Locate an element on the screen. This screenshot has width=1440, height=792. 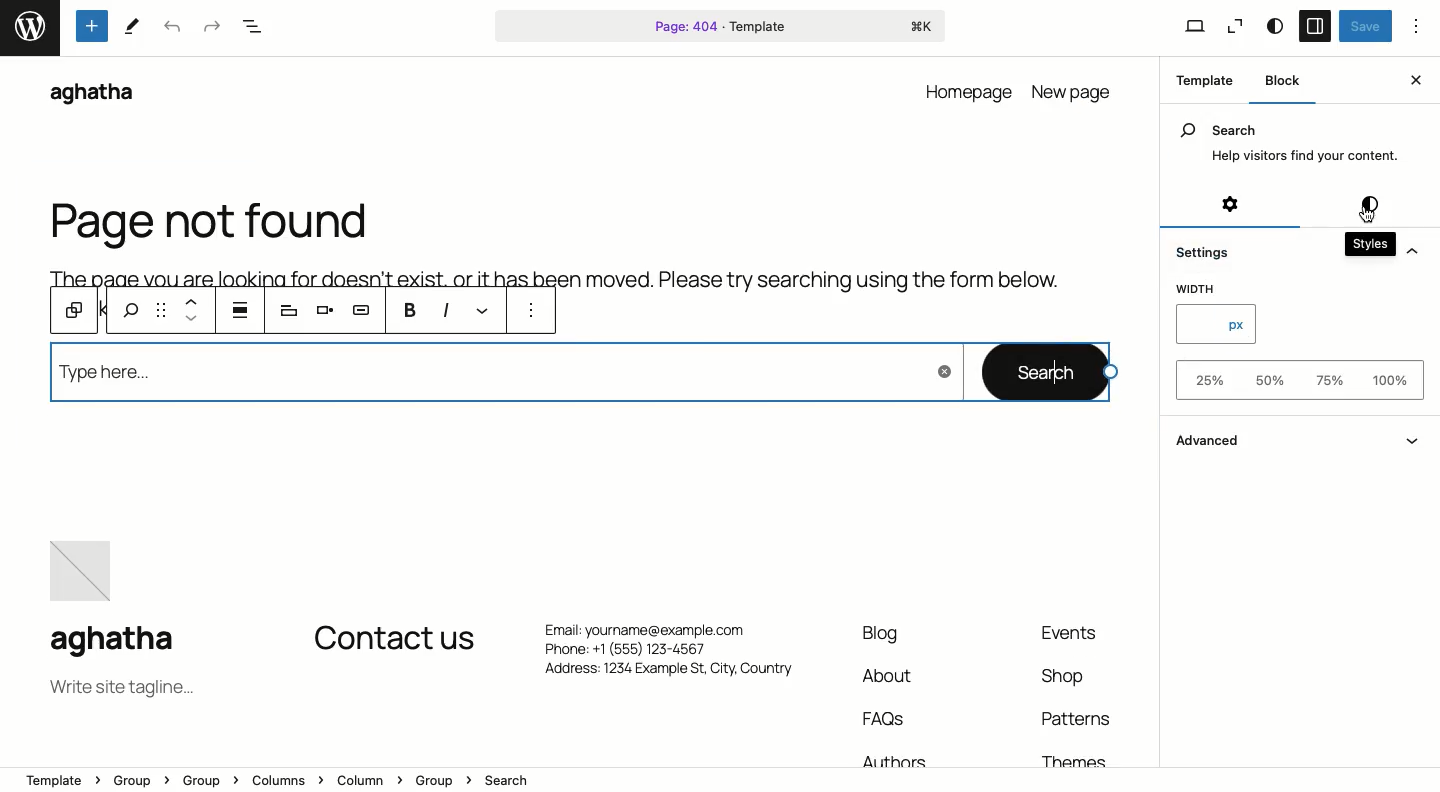
About is located at coordinates (884, 674).